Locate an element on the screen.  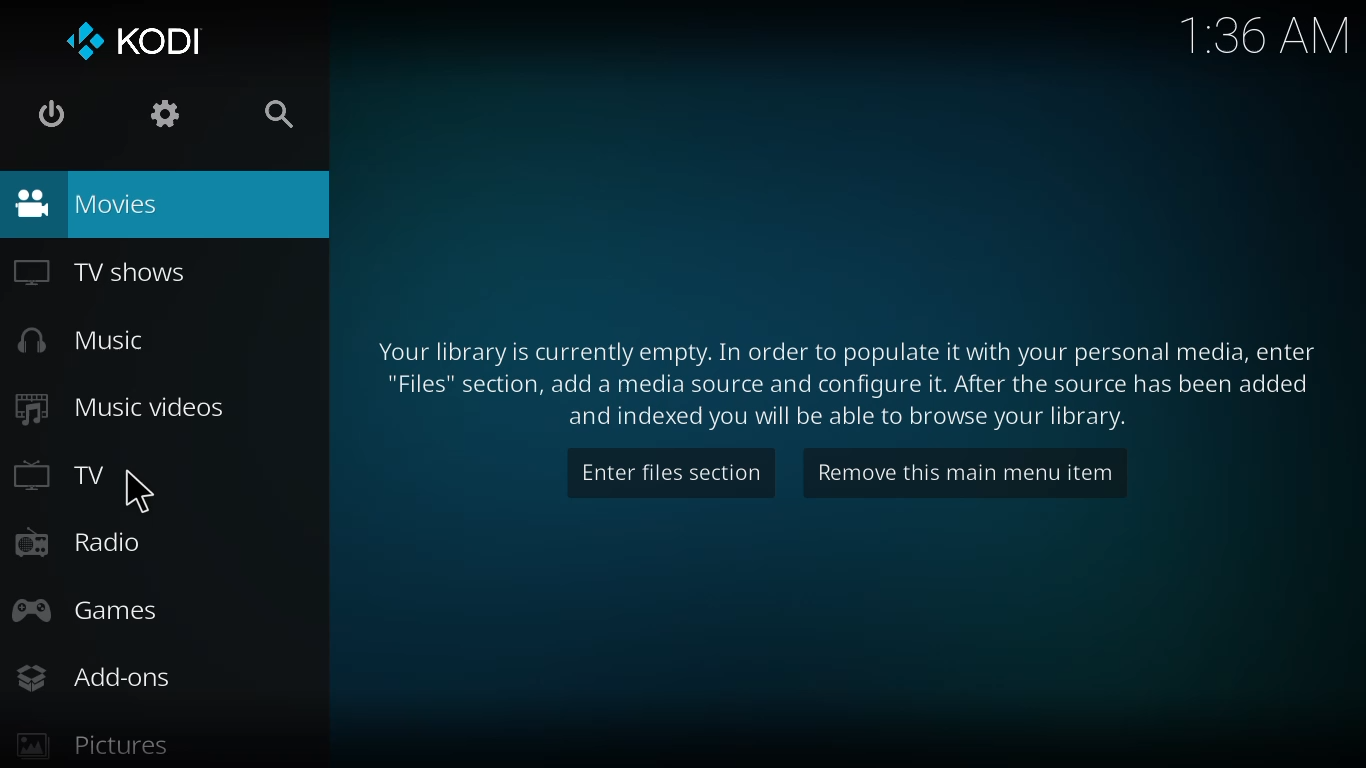
enter files section is located at coordinates (665, 471).